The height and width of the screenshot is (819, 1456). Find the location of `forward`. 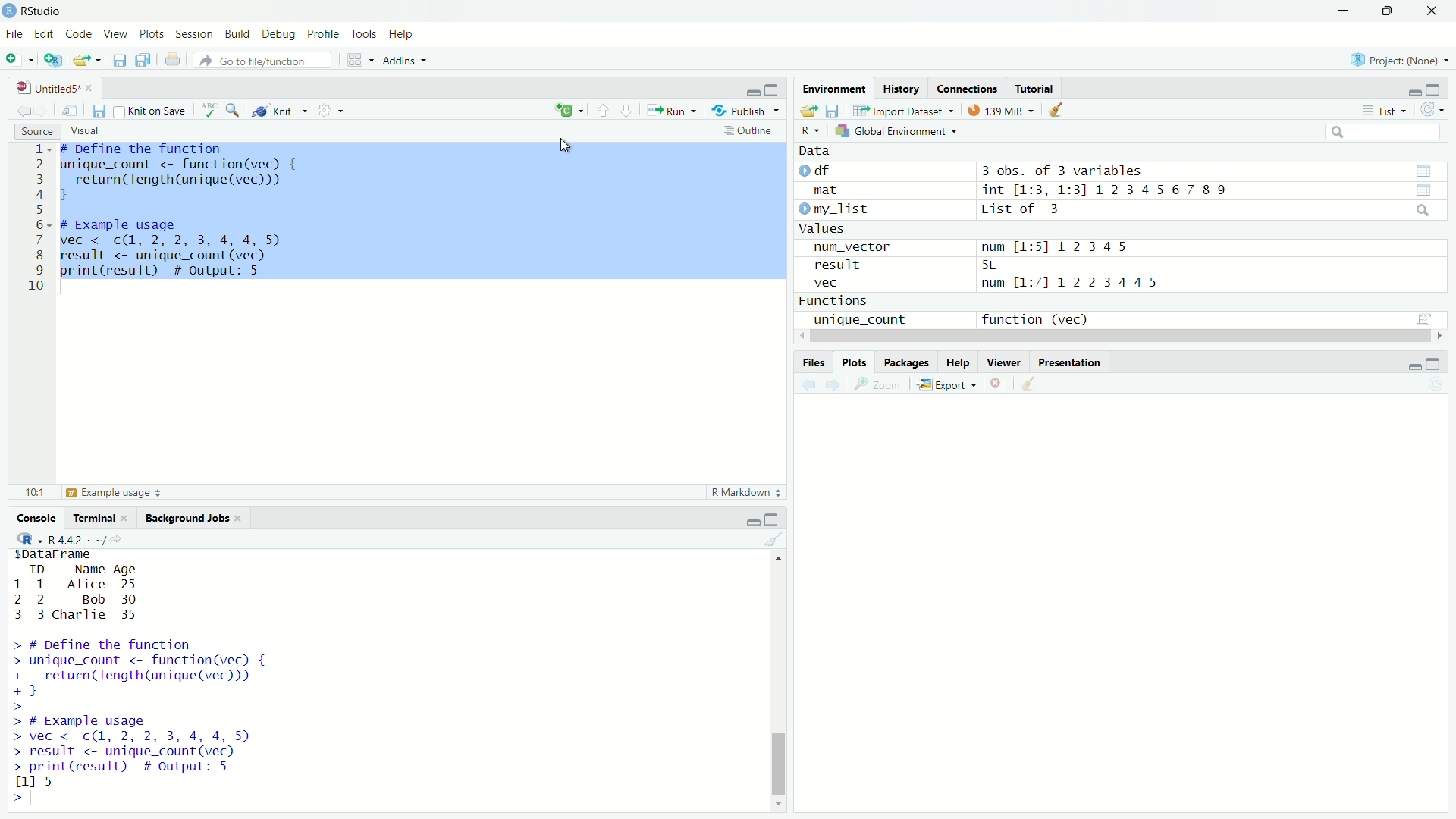

forward is located at coordinates (838, 385).